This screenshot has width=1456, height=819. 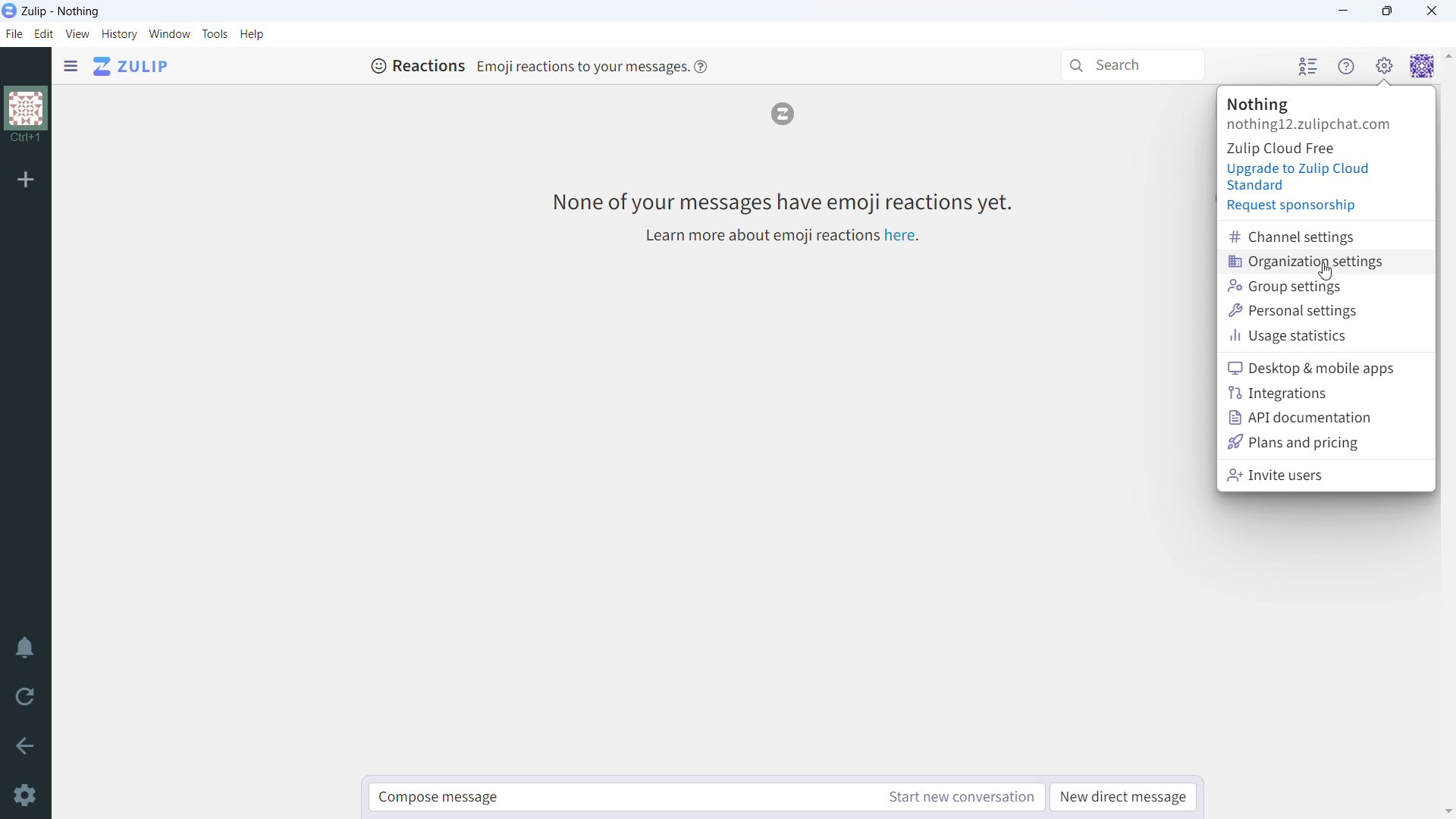 I want to click on usage statistics, so click(x=1326, y=336).